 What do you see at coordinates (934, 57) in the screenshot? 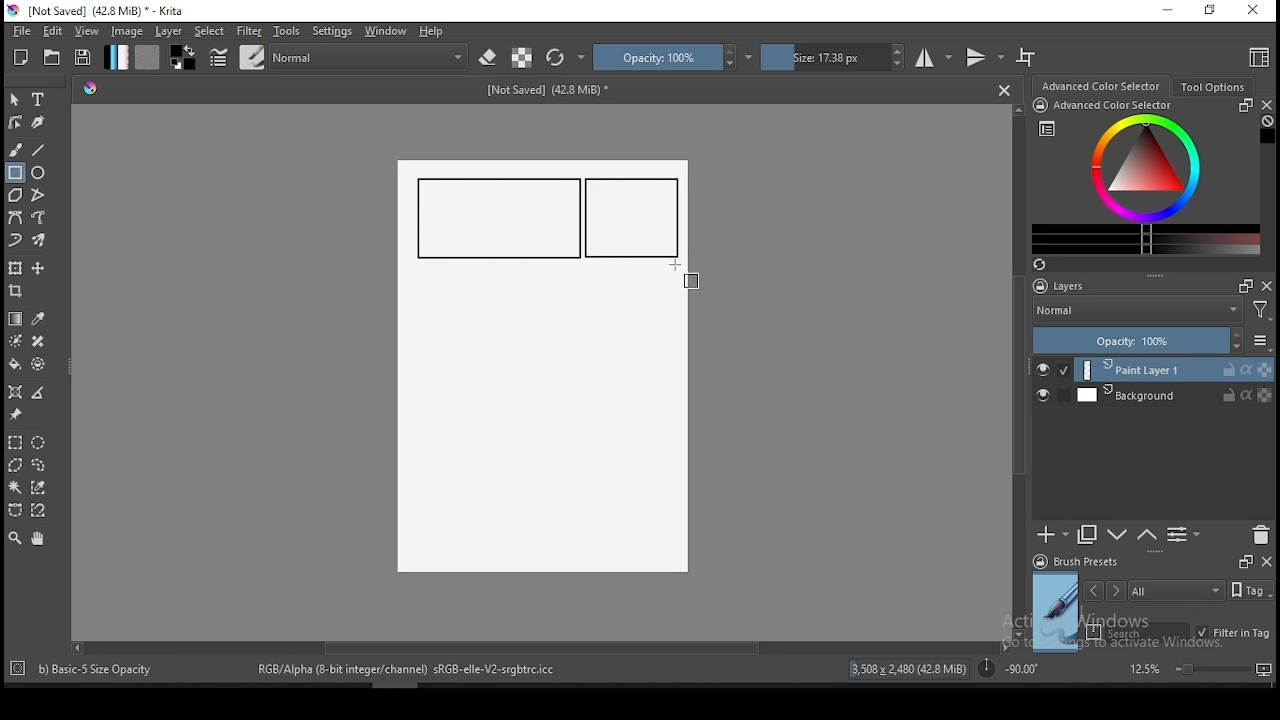
I see `horizontal mirror tool` at bounding box center [934, 57].